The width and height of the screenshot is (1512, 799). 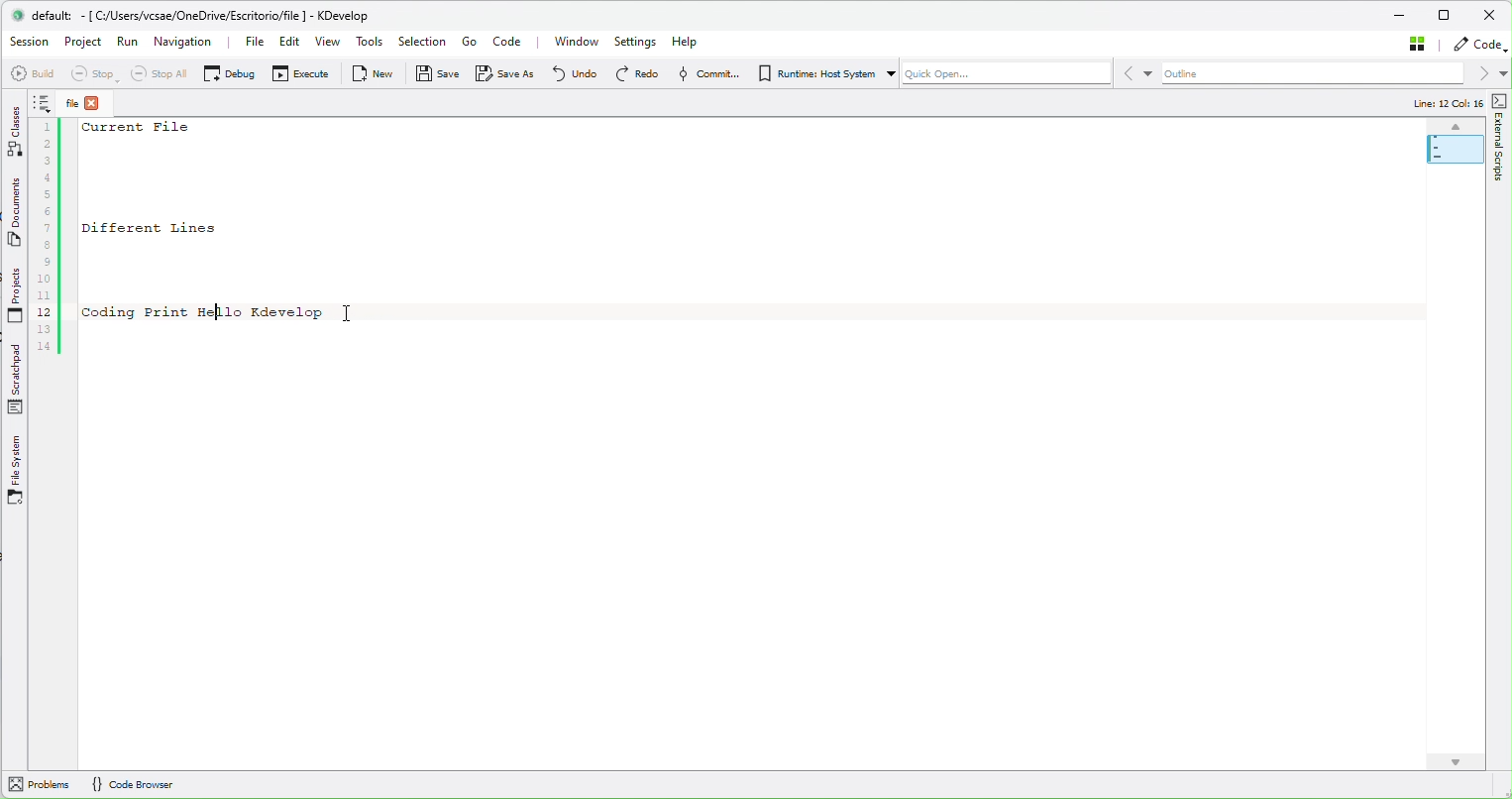 What do you see at coordinates (284, 41) in the screenshot?
I see `Edit` at bounding box center [284, 41].